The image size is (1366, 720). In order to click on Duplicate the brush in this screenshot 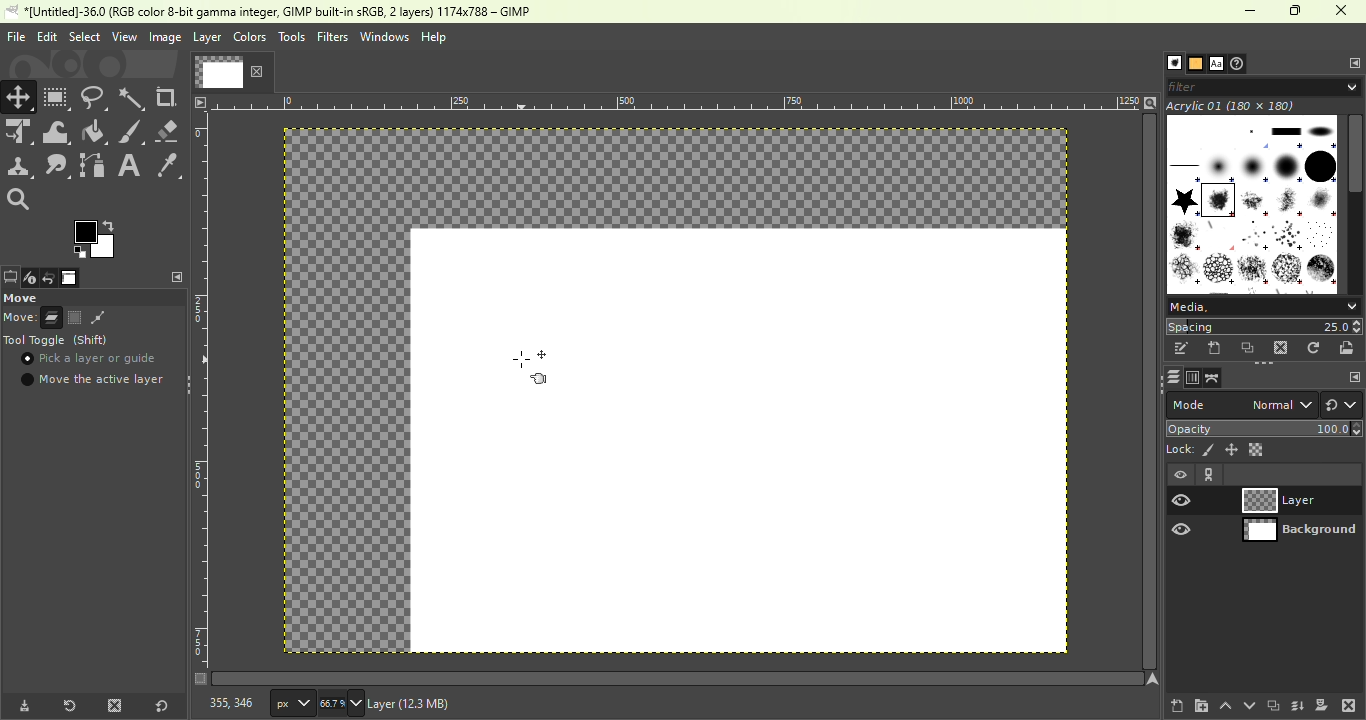, I will do `click(1248, 350)`.